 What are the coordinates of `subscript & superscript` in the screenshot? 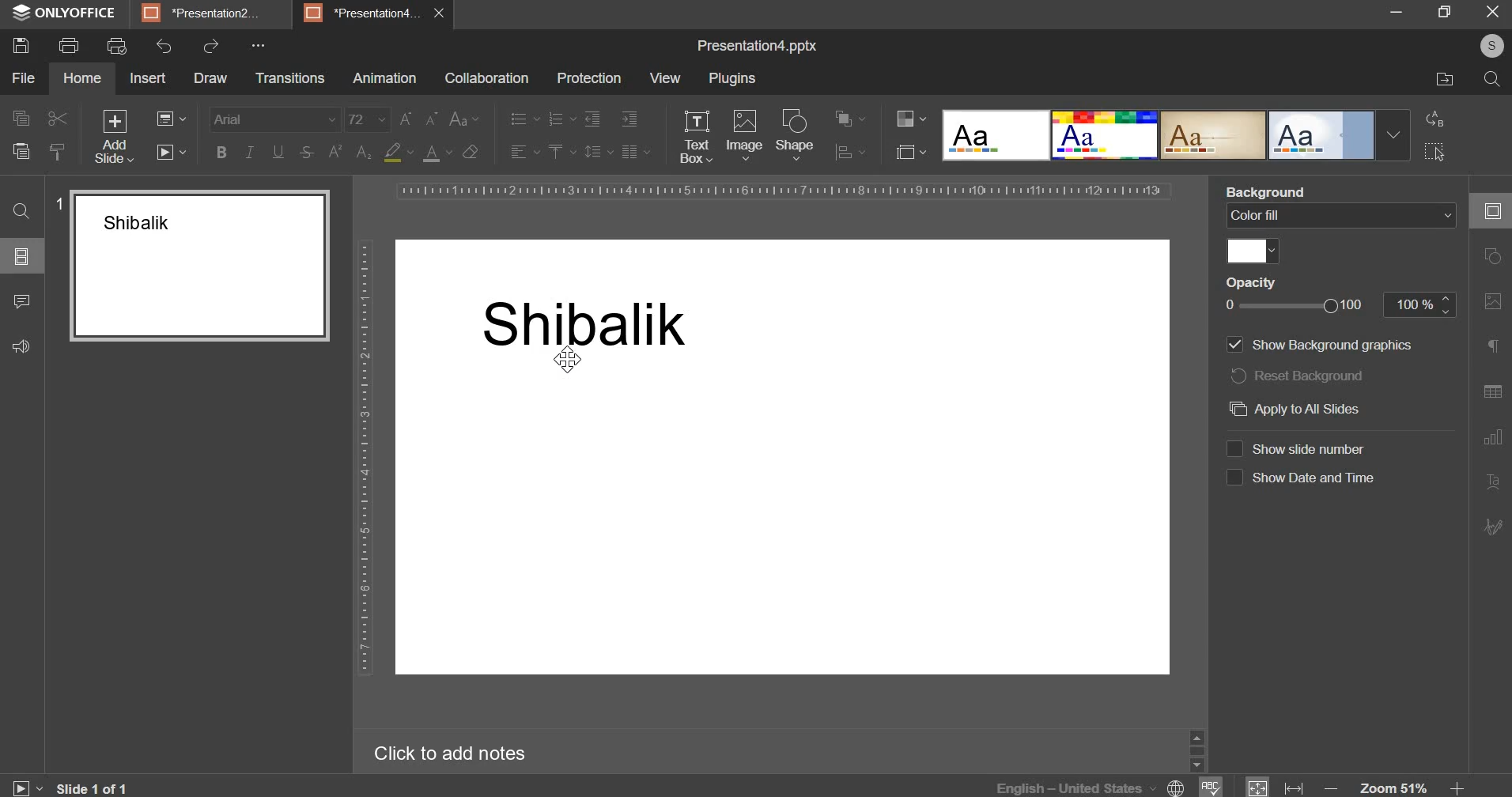 It's located at (350, 152).